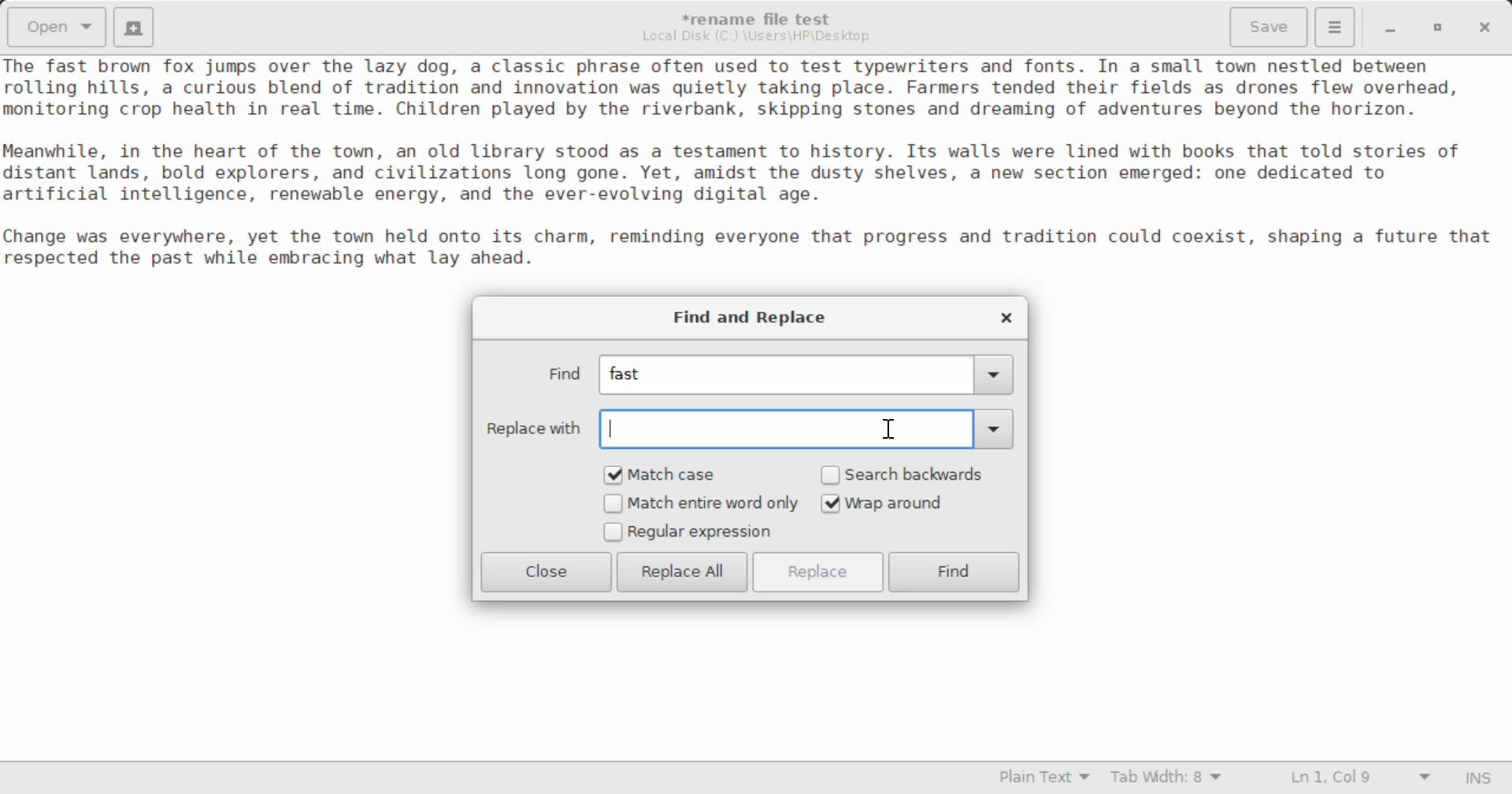 This screenshot has height=794, width=1512. What do you see at coordinates (547, 572) in the screenshot?
I see `Close` at bounding box center [547, 572].